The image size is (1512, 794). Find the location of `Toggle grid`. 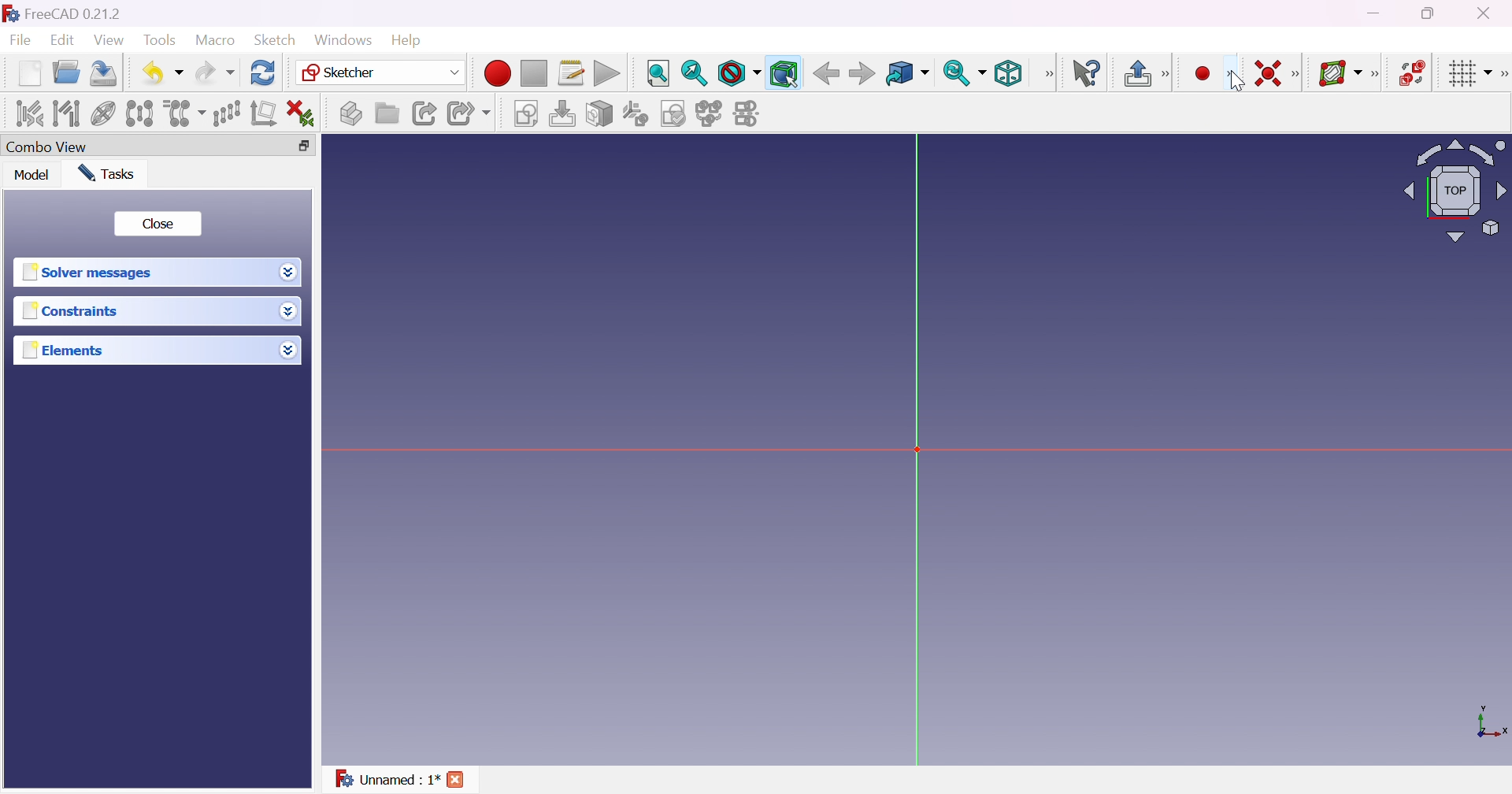

Toggle grid is located at coordinates (1466, 74).